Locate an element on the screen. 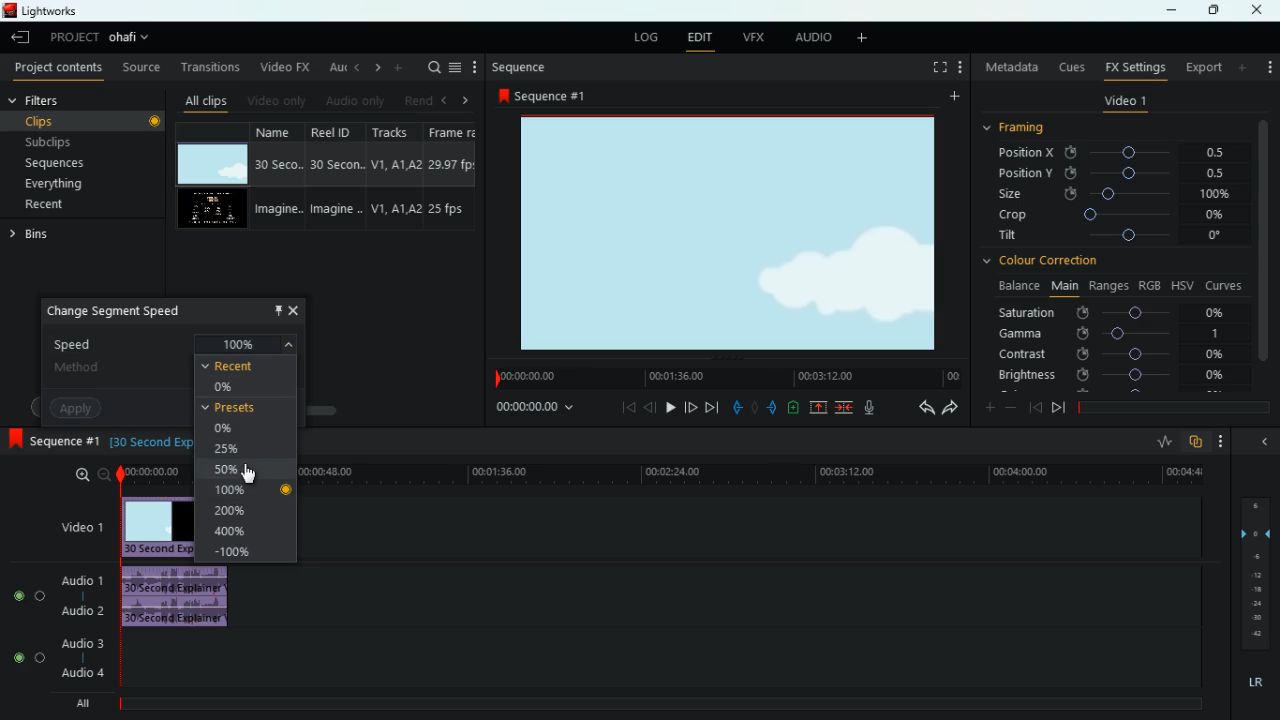 The width and height of the screenshot is (1280, 720). more is located at coordinates (475, 66).